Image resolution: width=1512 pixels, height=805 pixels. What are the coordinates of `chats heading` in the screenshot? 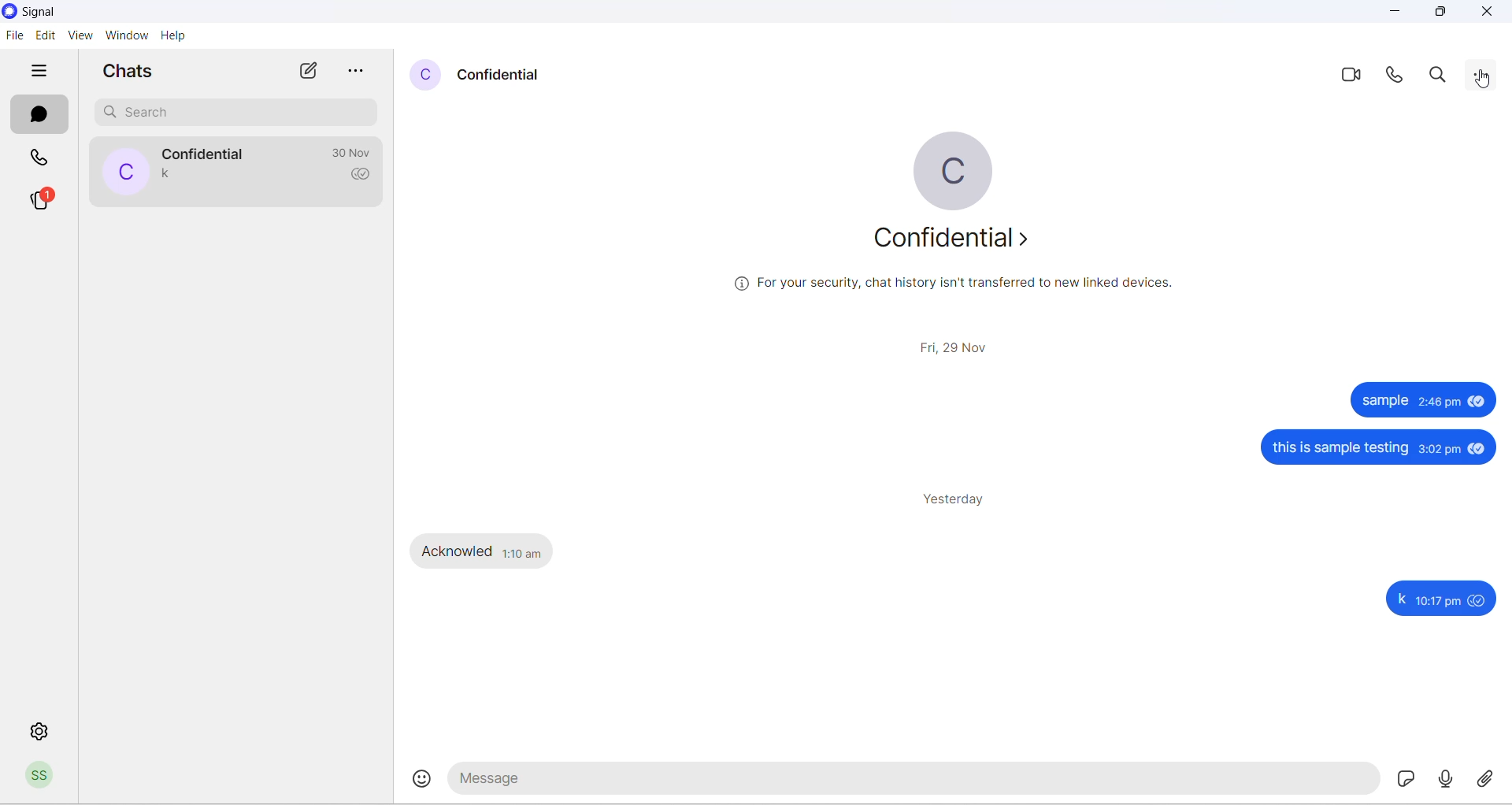 It's located at (126, 69).